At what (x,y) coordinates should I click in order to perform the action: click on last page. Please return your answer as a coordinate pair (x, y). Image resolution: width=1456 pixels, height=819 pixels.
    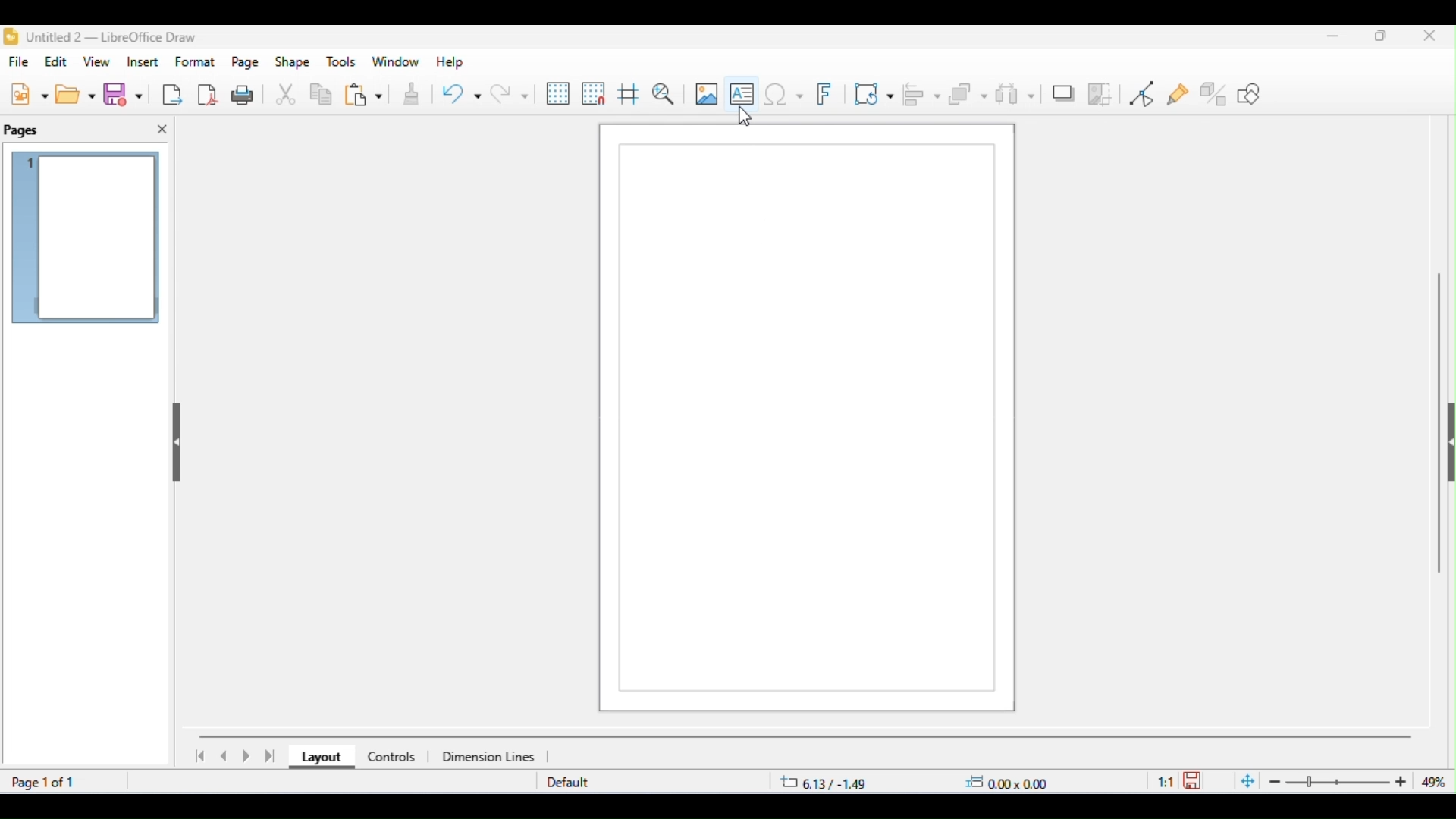
    Looking at the image, I should click on (271, 756).